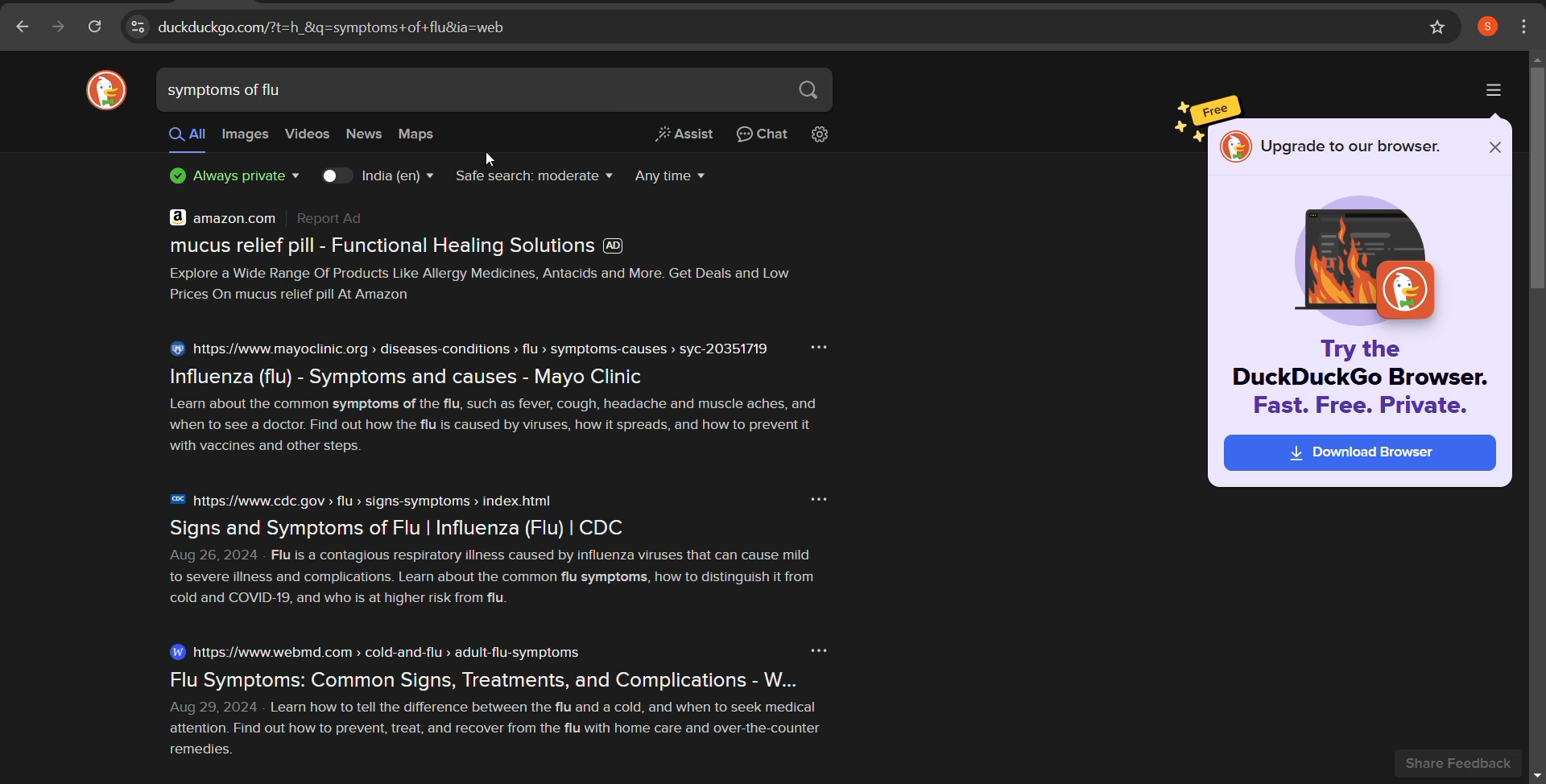  I want to click on close, so click(1492, 150).